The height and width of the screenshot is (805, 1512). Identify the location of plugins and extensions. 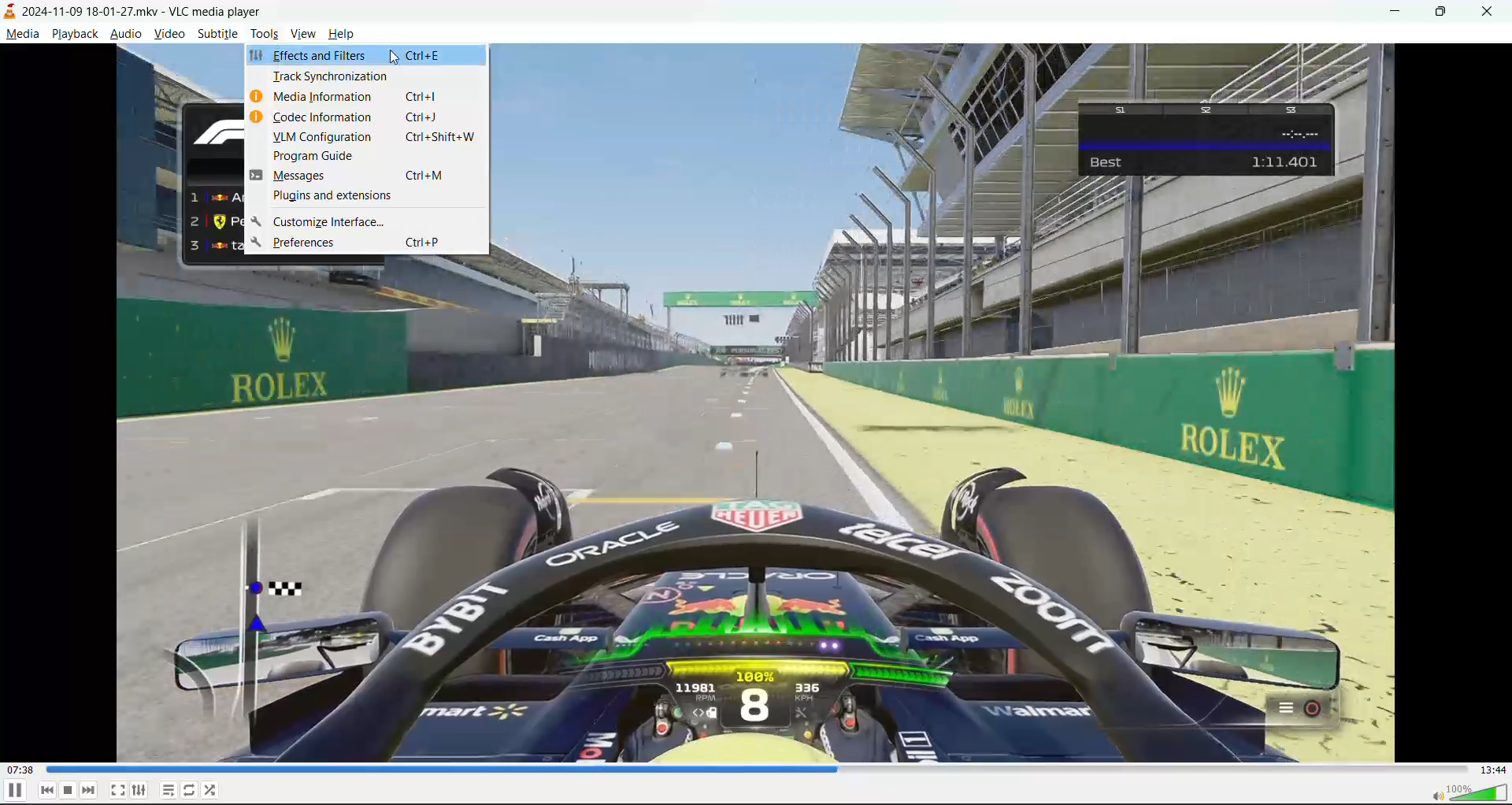
(374, 196).